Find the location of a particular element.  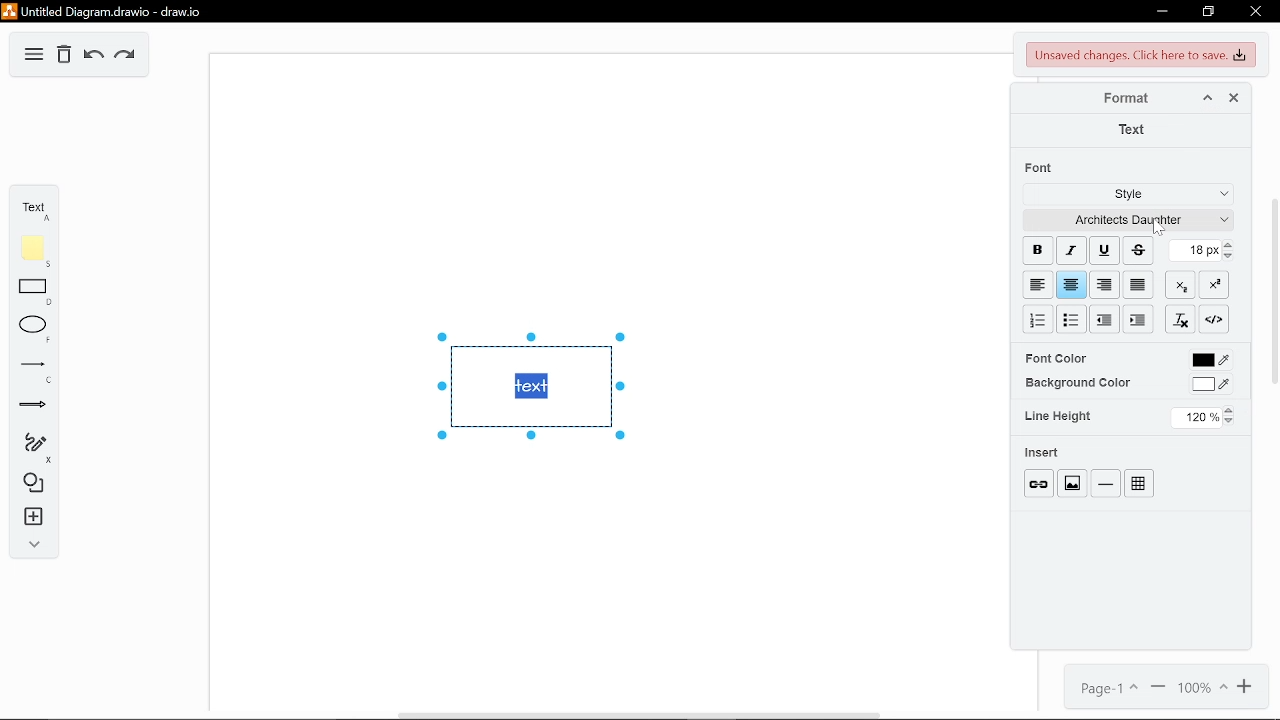

background color is located at coordinates (1077, 383).